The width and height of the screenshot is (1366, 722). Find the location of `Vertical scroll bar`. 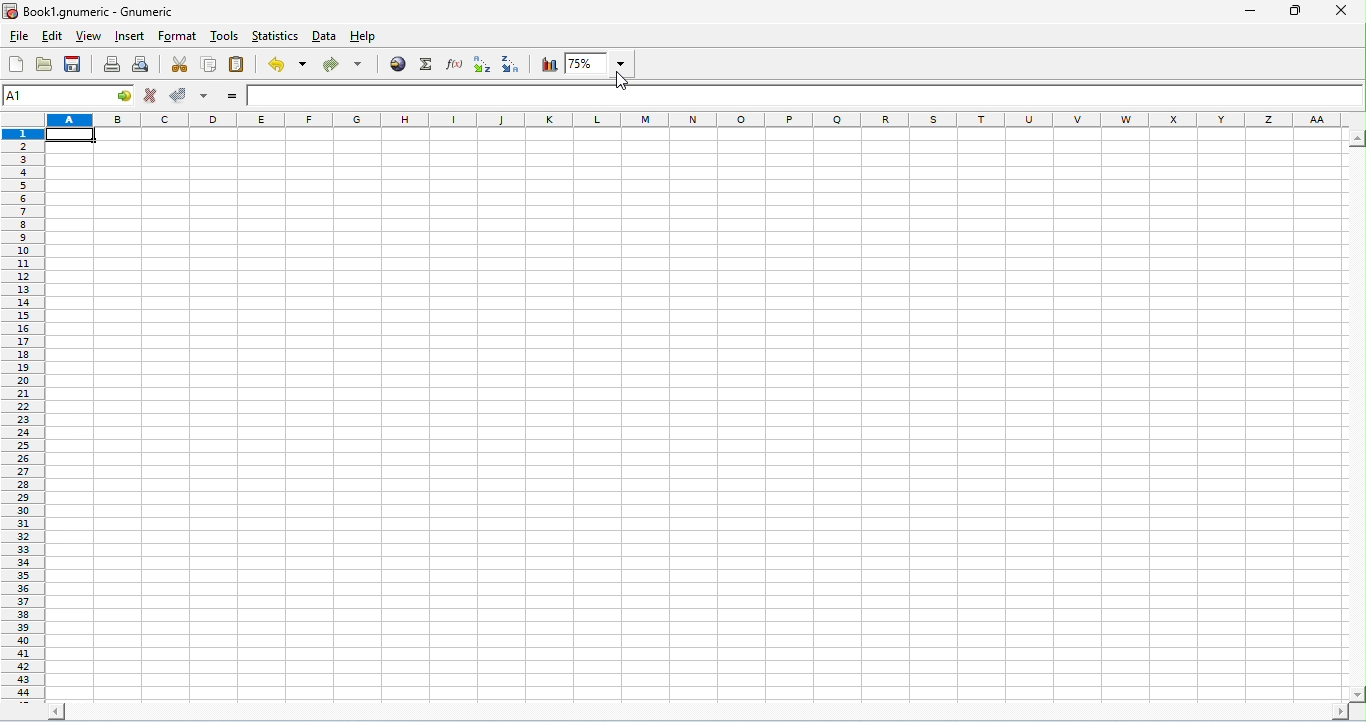

Vertical scroll bar is located at coordinates (1357, 415).